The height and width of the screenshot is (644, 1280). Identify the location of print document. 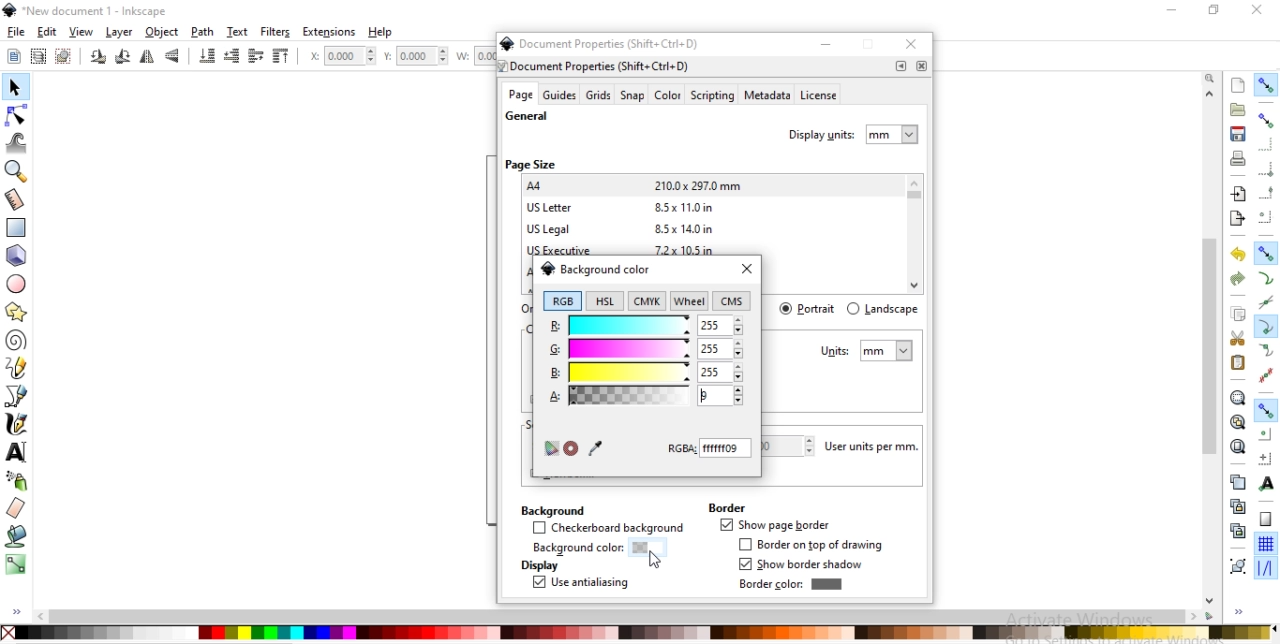
(1236, 158).